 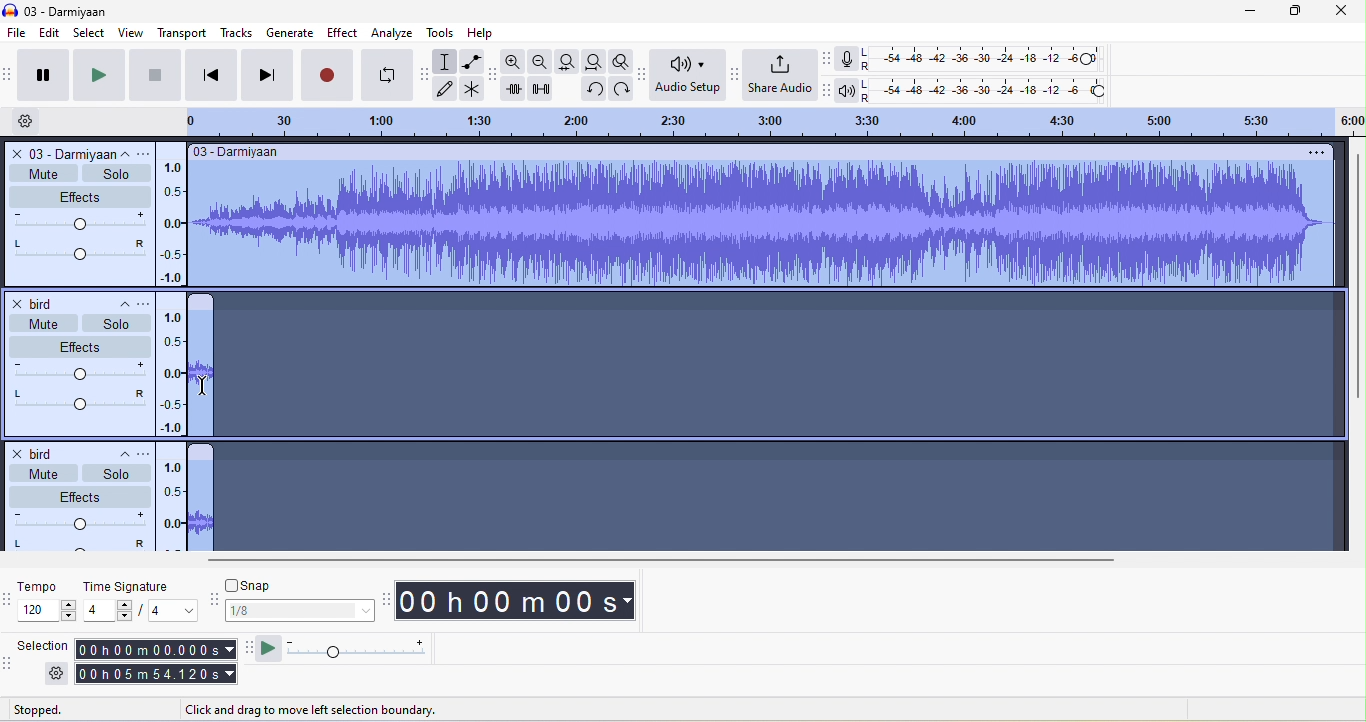 I want to click on close, so click(x=1338, y=11).